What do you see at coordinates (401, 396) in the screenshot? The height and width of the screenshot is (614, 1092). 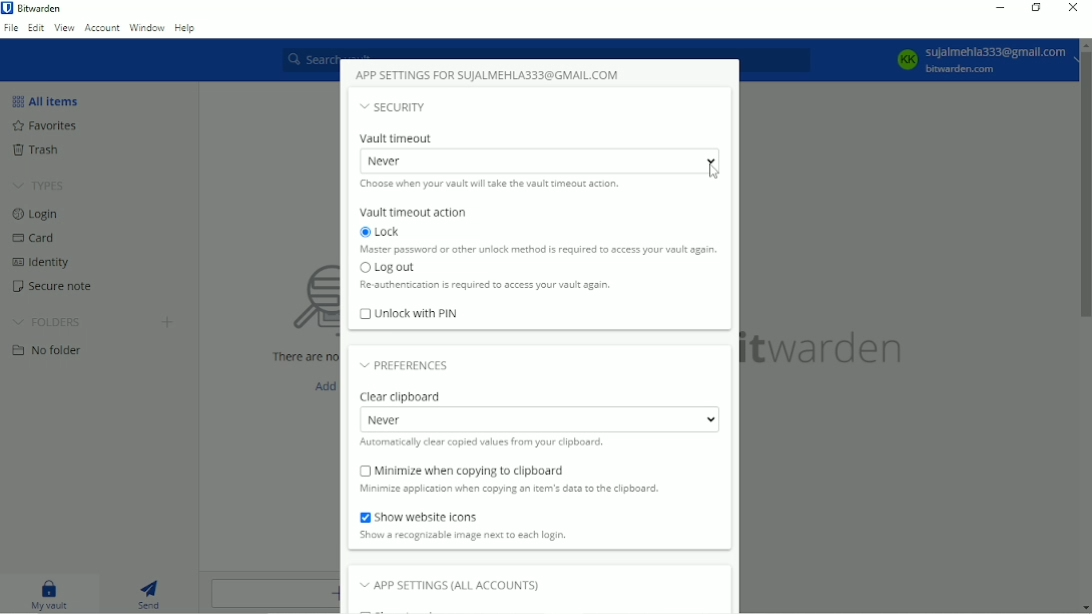 I see `Clear clipboard` at bounding box center [401, 396].